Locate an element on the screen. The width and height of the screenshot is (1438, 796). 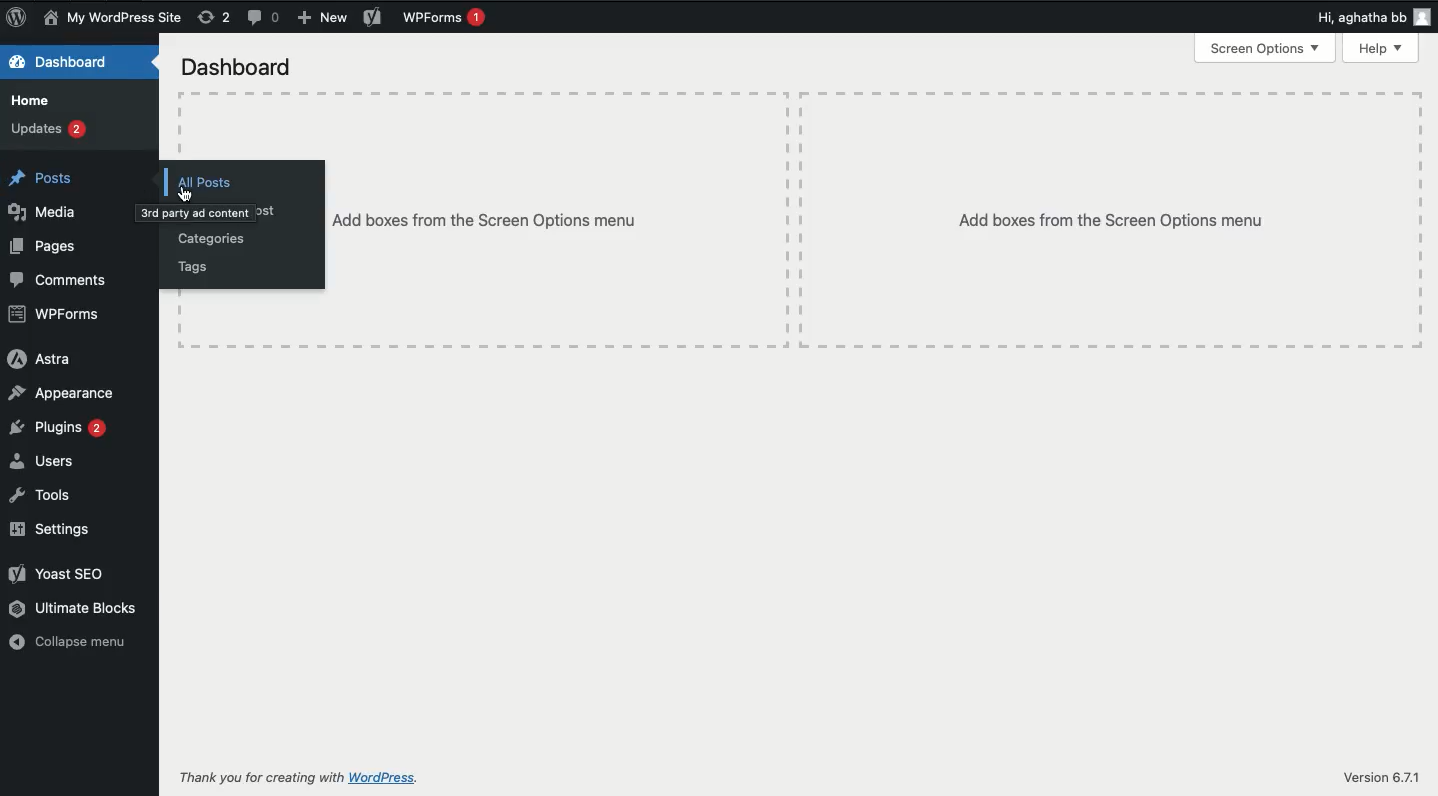
Media is located at coordinates (41, 212).